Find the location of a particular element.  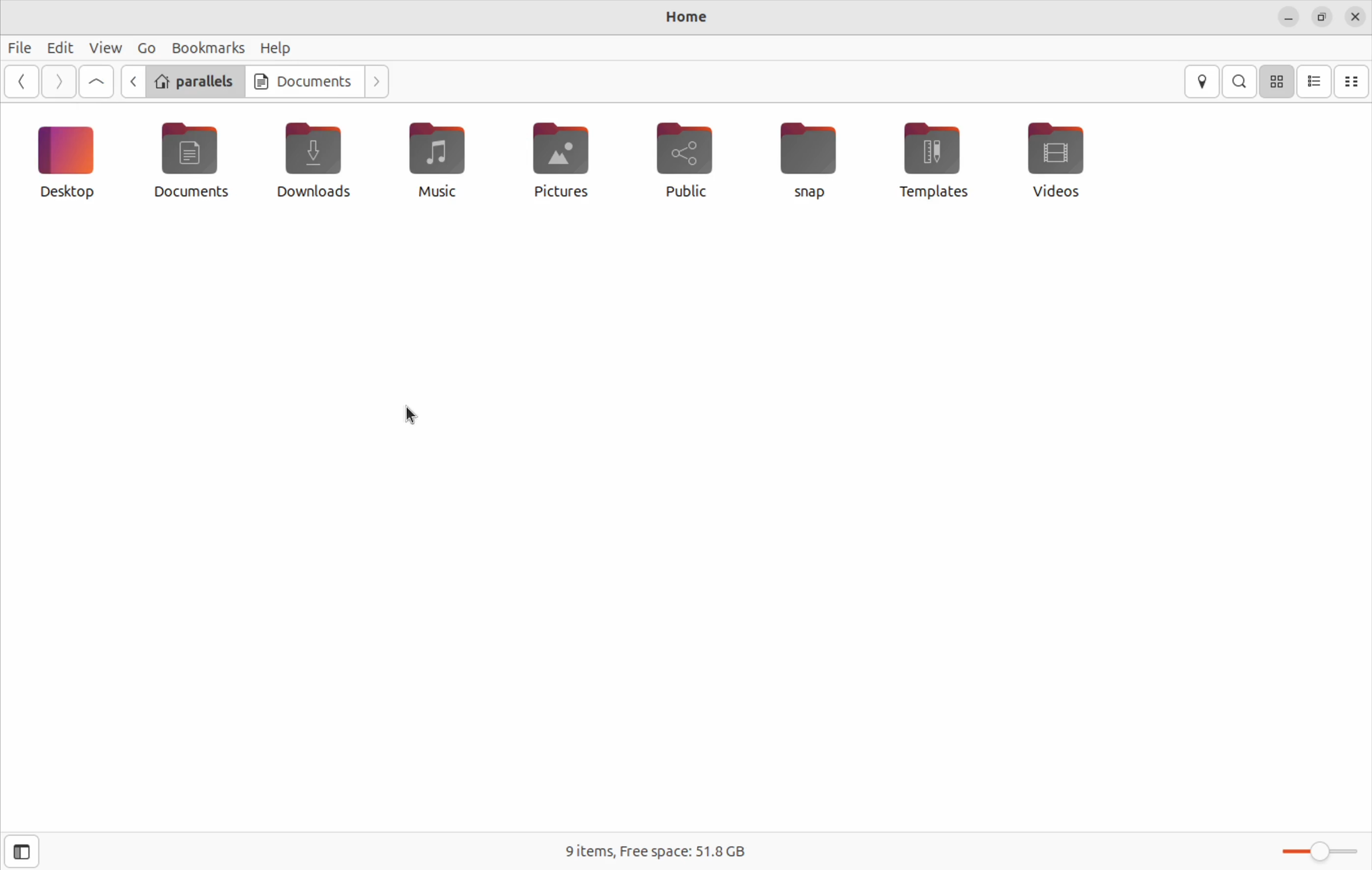

public  is located at coordinates (684, 157).